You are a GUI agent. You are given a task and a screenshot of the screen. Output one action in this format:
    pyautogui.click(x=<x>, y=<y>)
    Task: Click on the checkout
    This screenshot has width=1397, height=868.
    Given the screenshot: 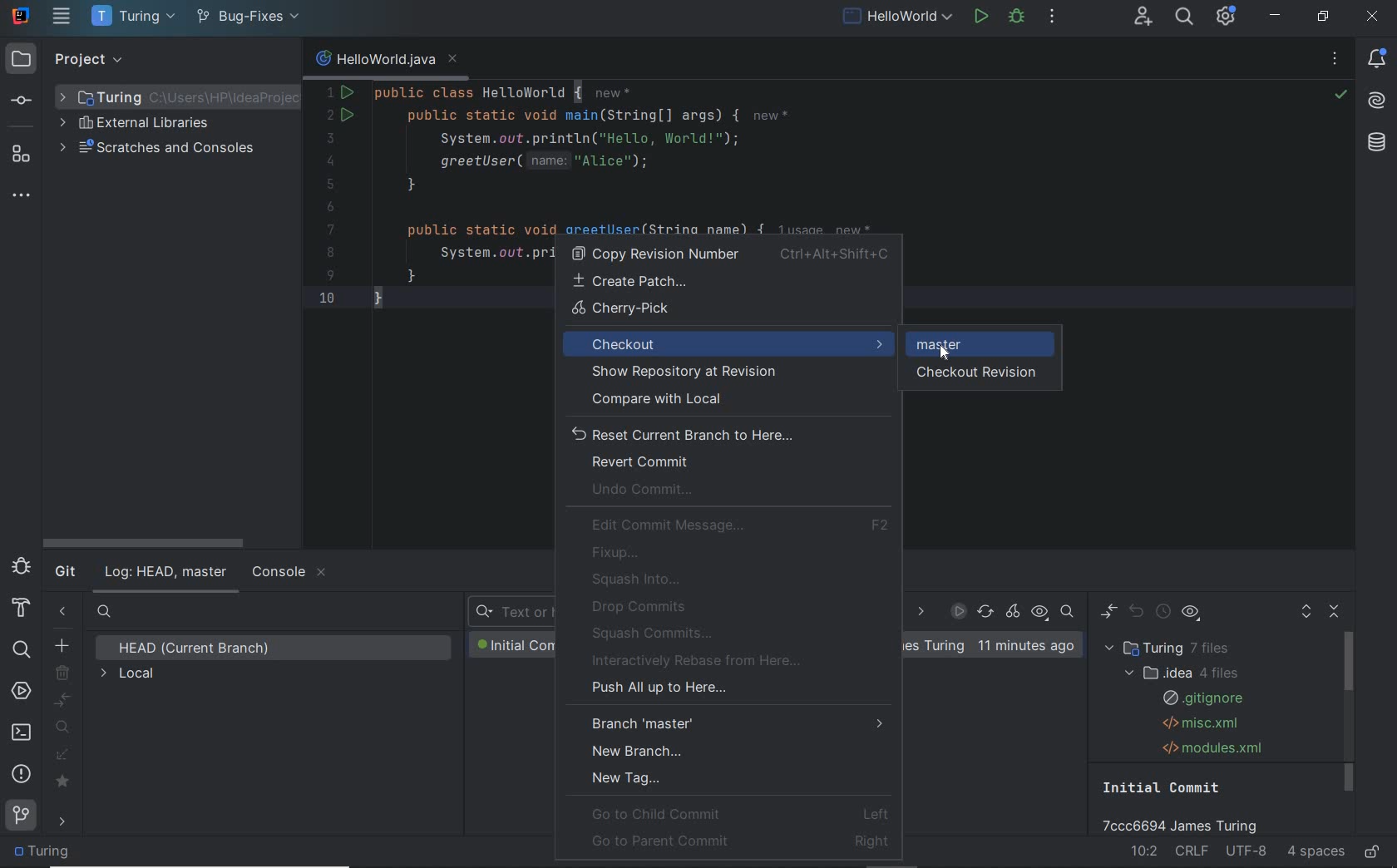 What is the action you would take?
    pyautogui.click(x=728, y=343)
    